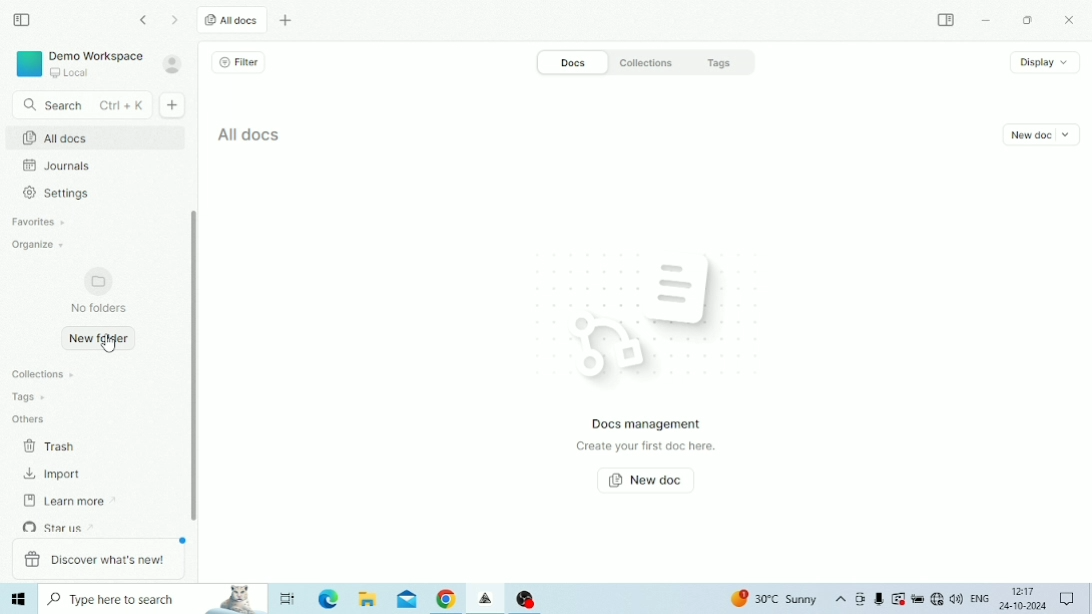 This screenshot has width=1092, height=614. What do you see at coordinates (289, 598) in the screenshot?
I see `Task View` at bounding box center [289, 598].